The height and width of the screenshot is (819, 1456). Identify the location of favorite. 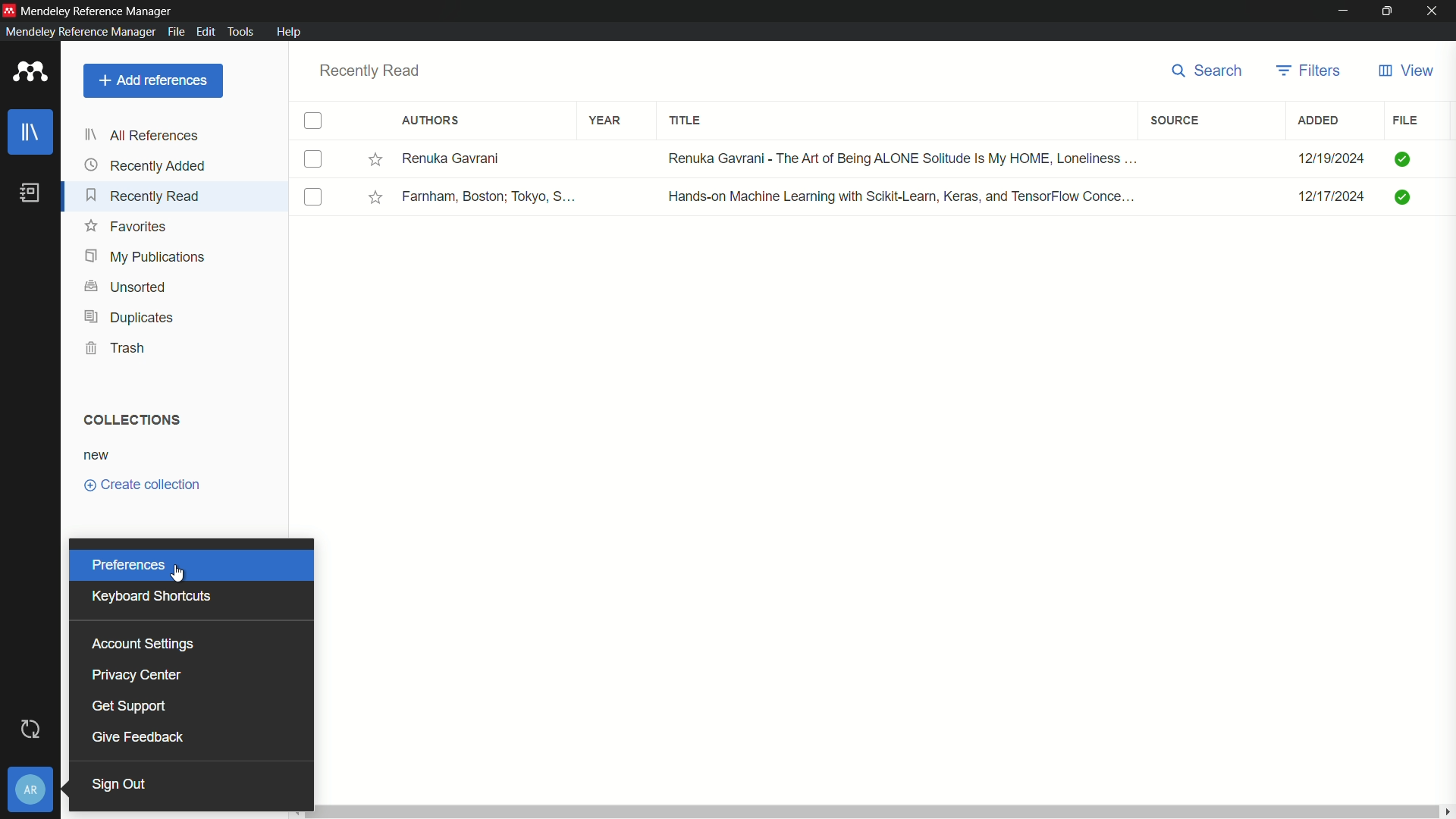
(128, 226).